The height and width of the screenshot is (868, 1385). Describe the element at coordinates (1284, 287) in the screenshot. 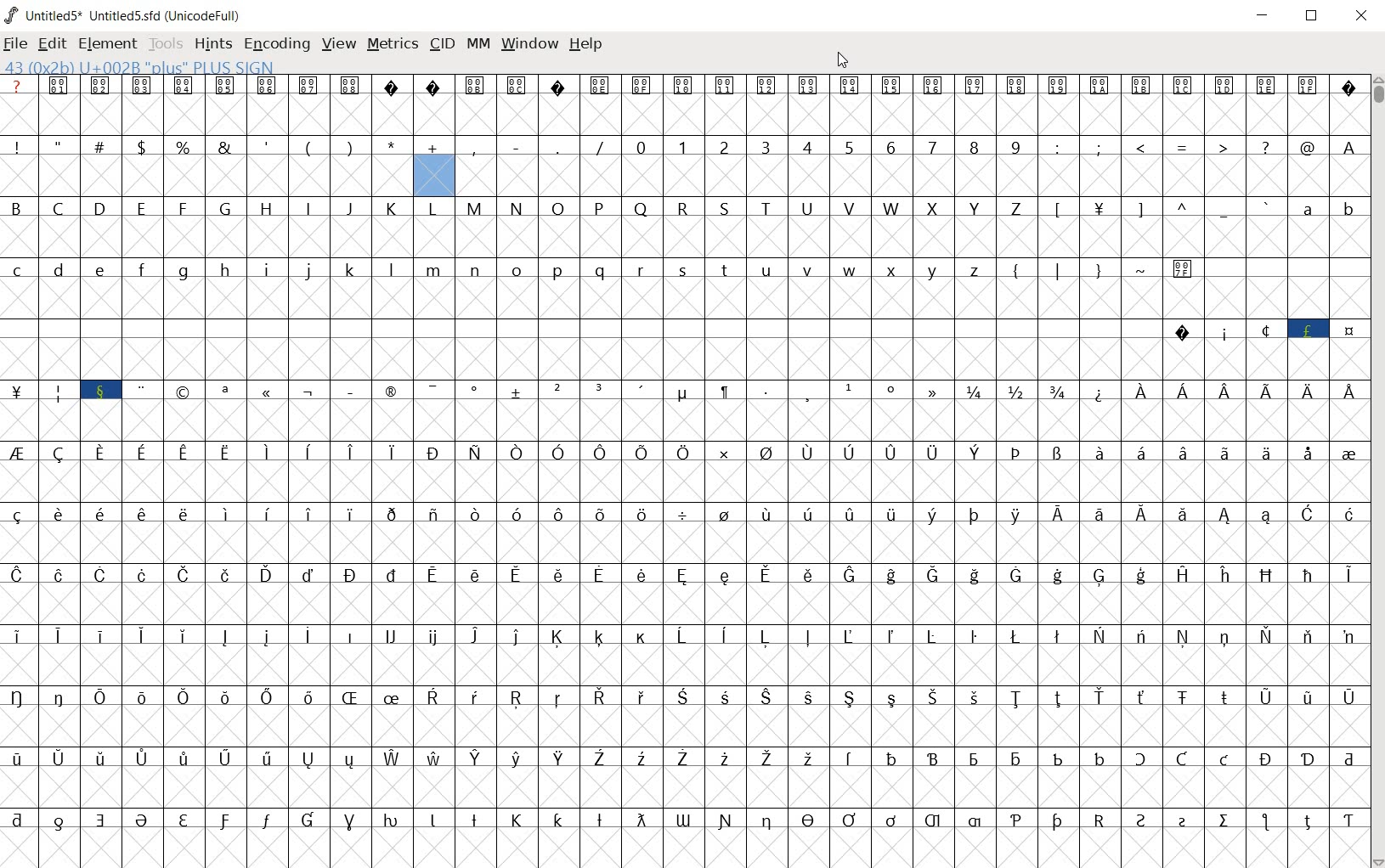

I see `Slot` at that location.